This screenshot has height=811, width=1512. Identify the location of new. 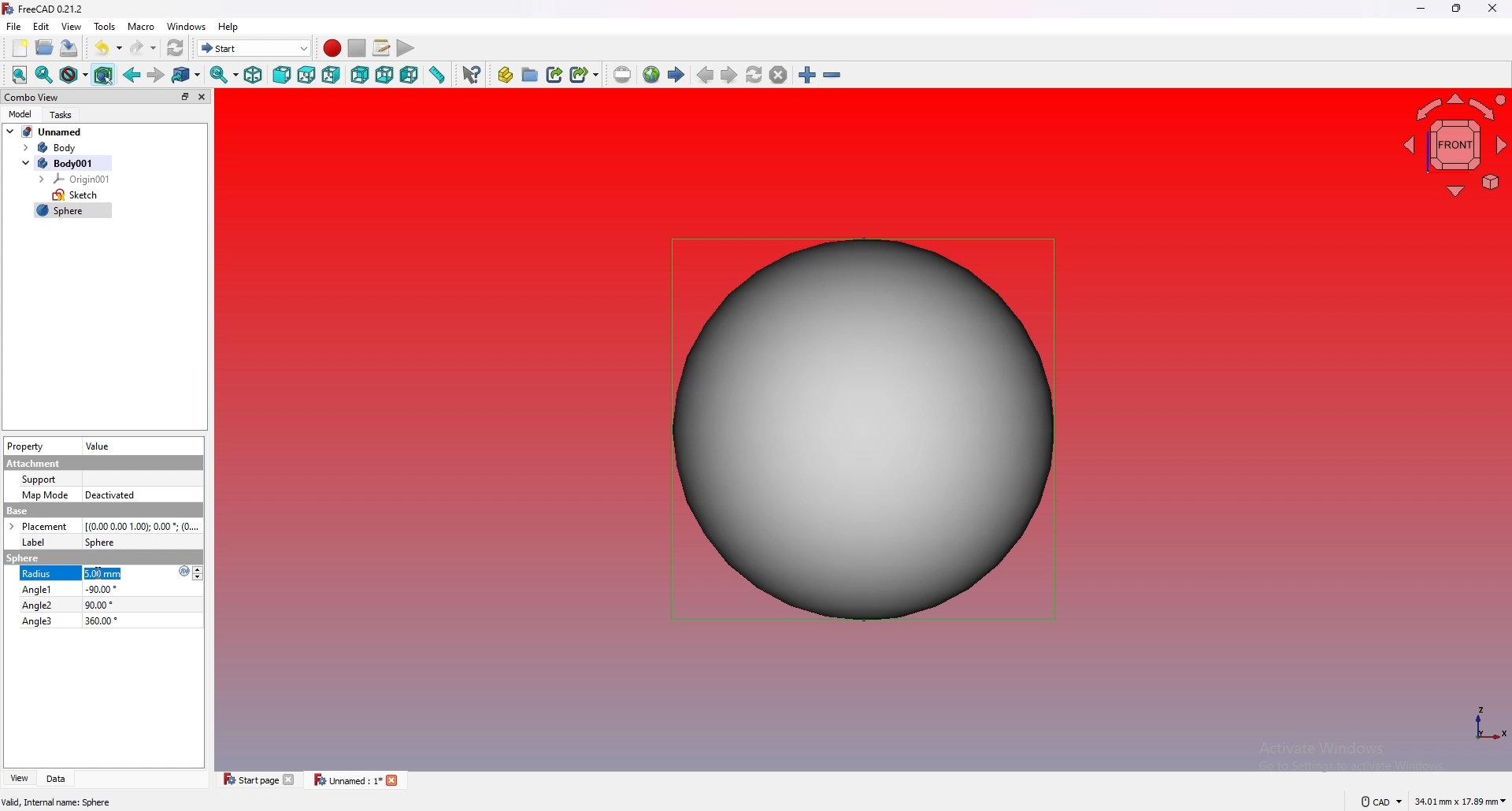
(18, 48).